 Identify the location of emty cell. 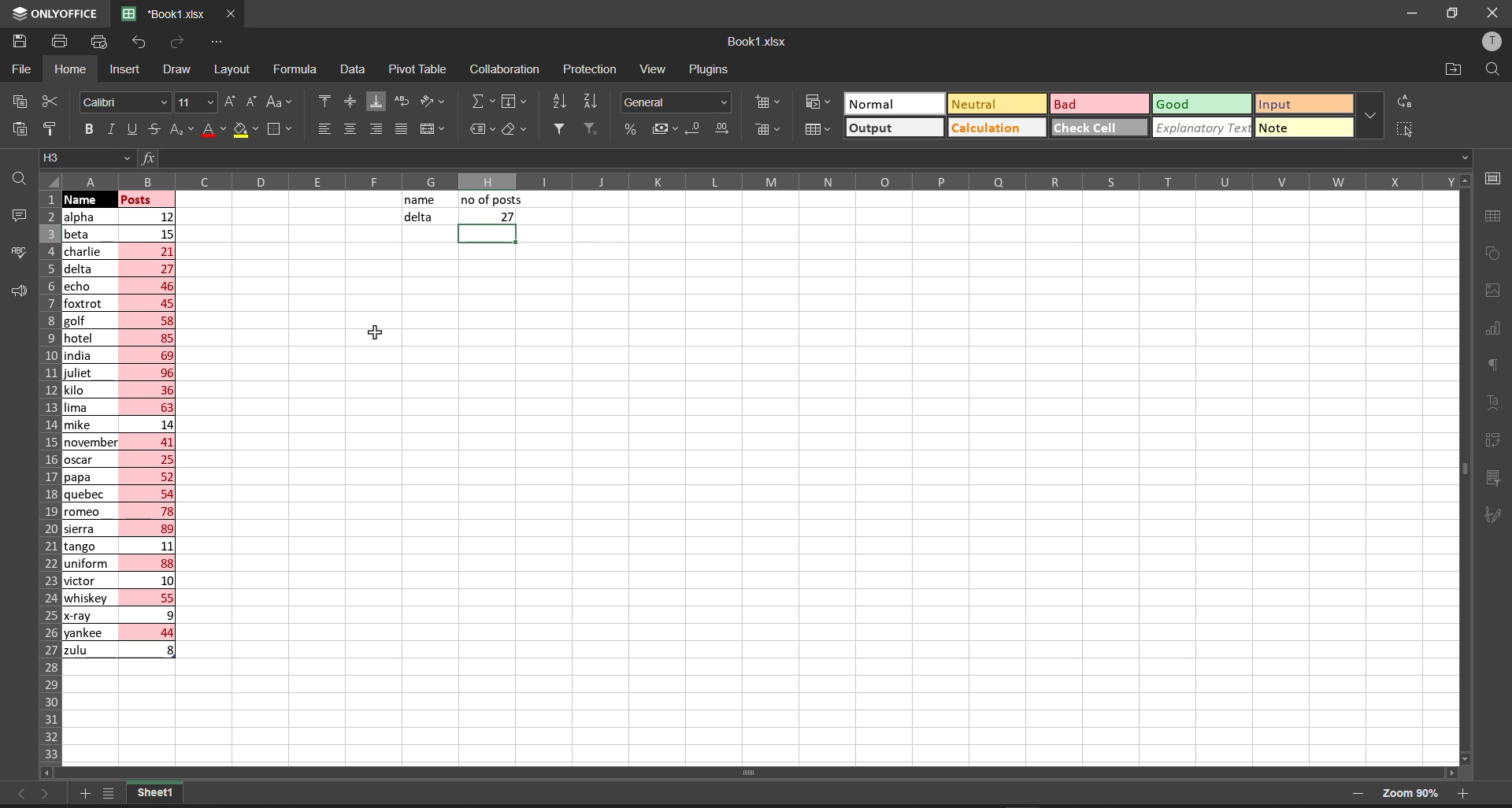
(819, 500).